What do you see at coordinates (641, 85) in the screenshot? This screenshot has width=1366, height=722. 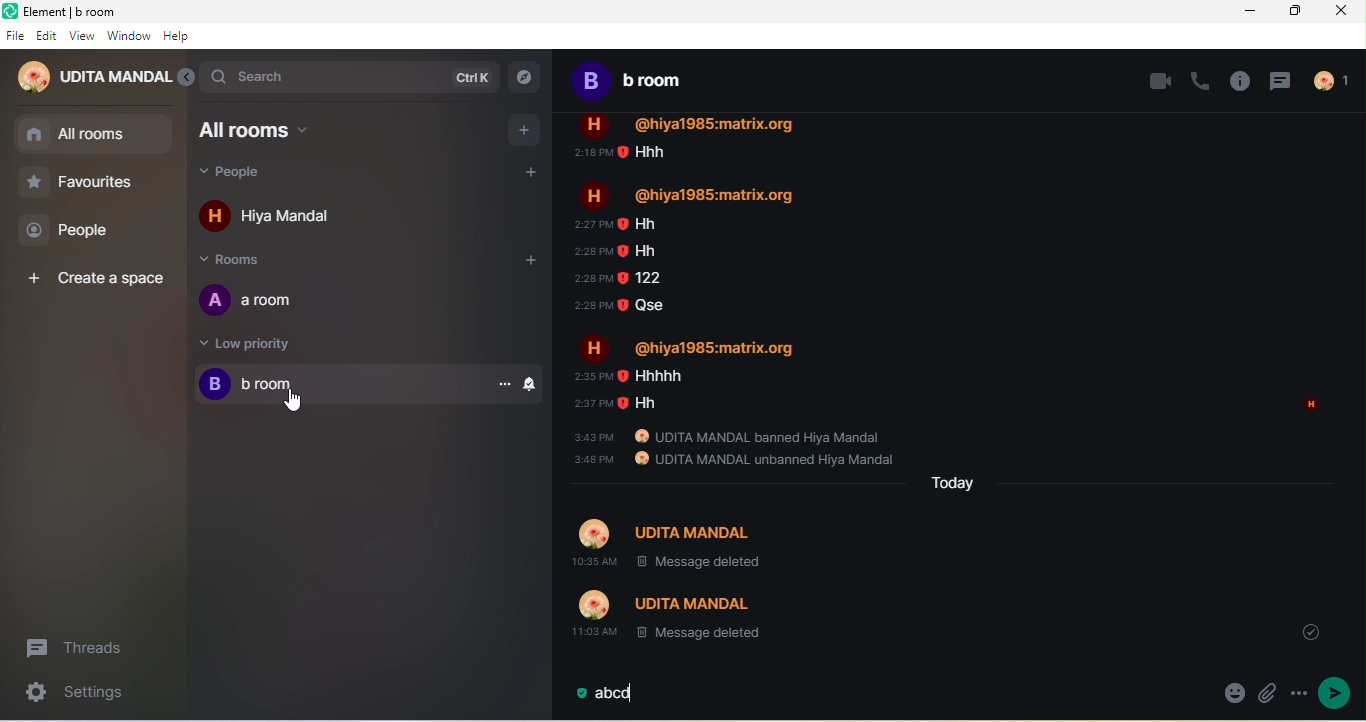 I see `b room` at bounding box center [641, 85].